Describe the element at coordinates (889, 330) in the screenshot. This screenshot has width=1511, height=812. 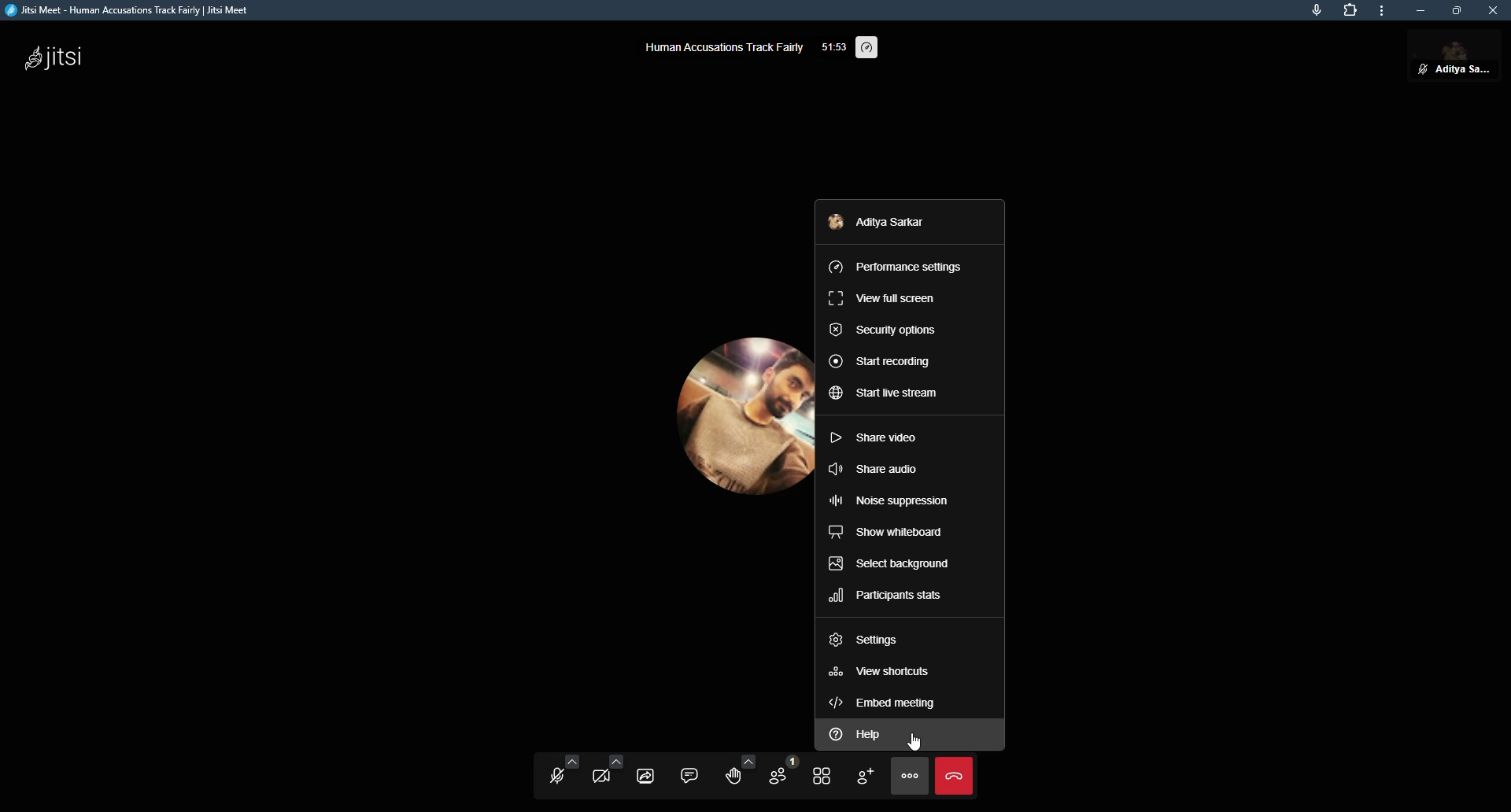
I see `security options` at that location.